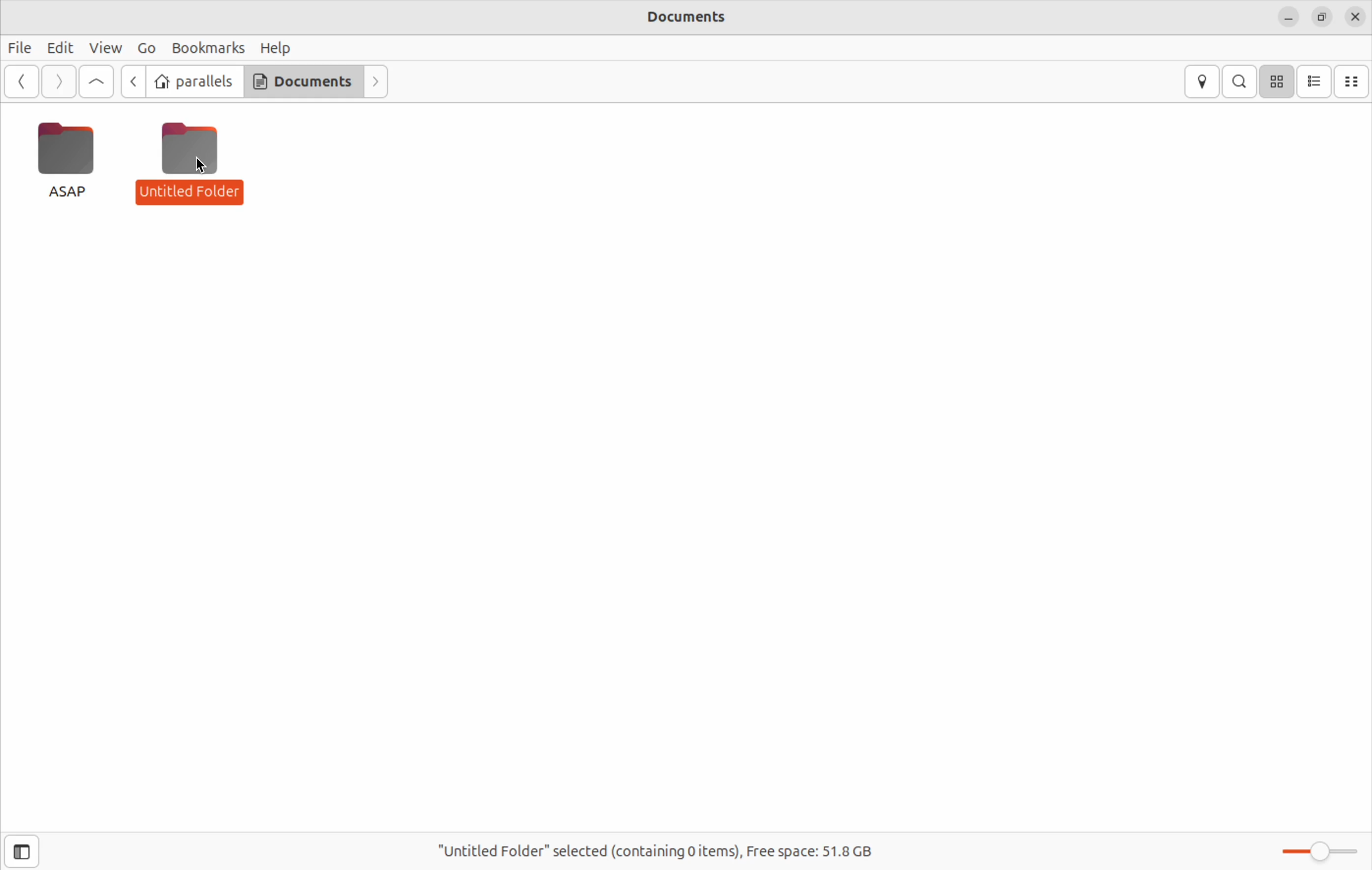 This screenshot has width=1372, height=870. Describe the element at coordinates (207, 46) in the screenshot. I see `Bookmarks` at that location.